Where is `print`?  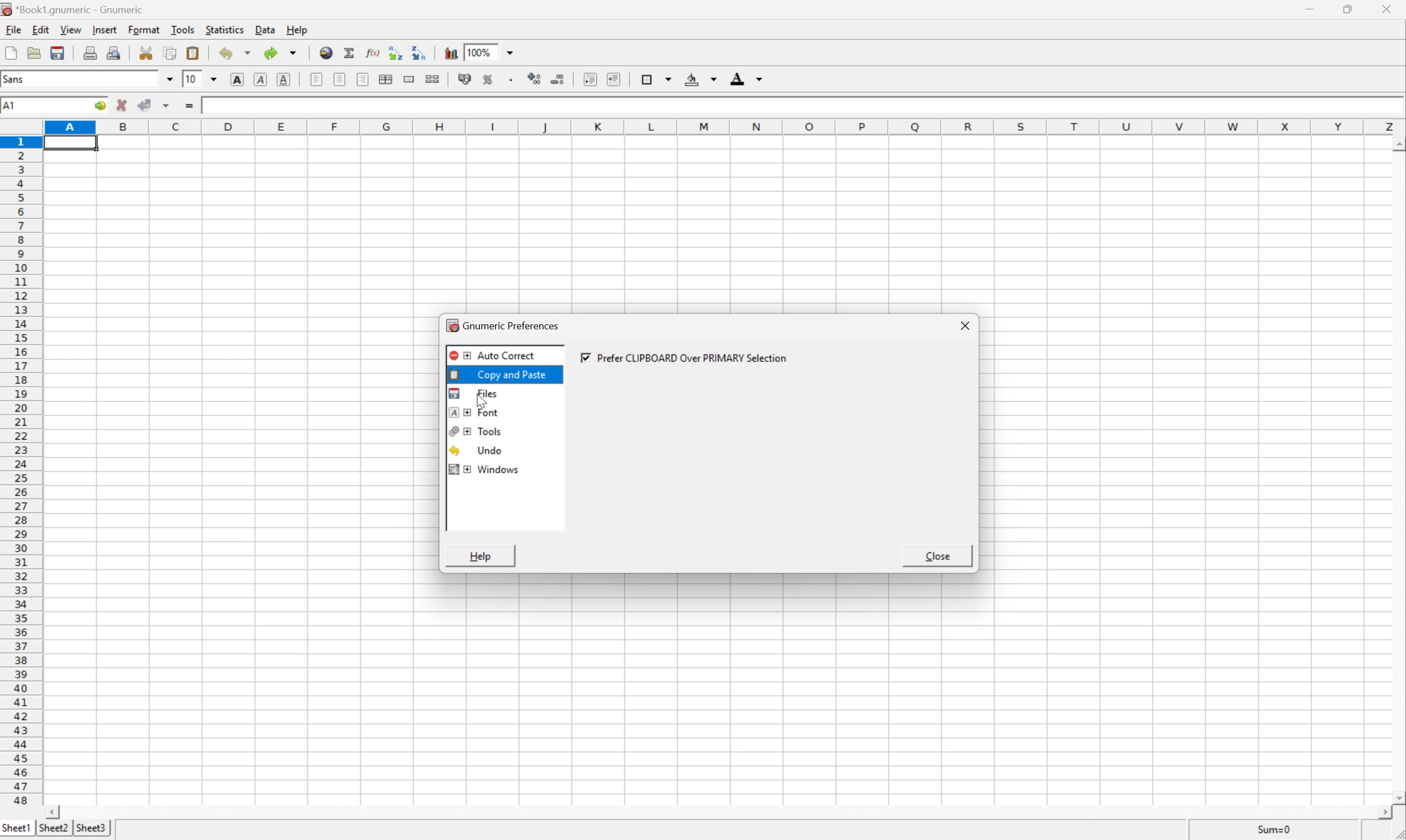
print is located at coordinates (91, 51).